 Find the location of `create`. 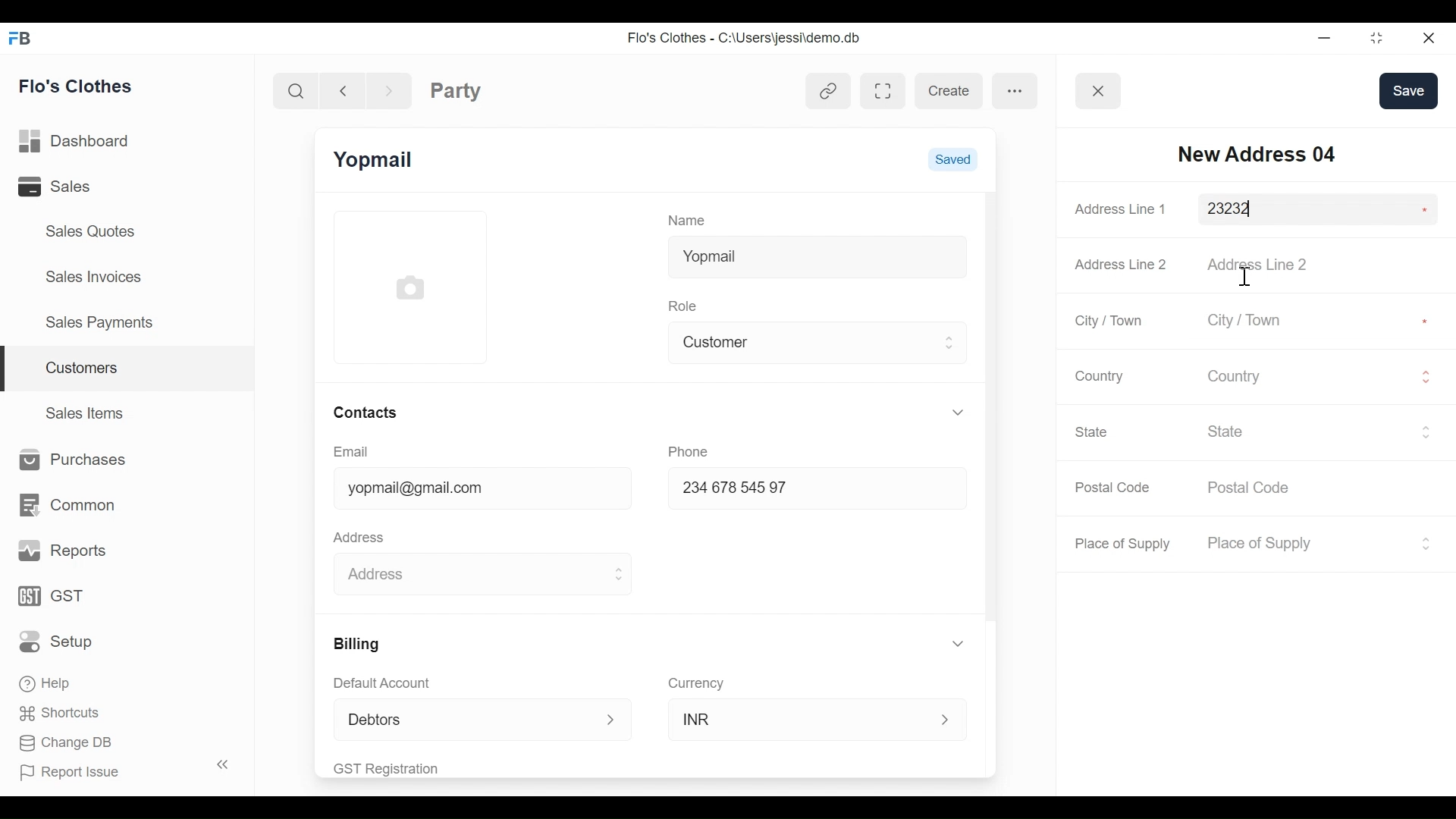

create is located at coordinates (948, 91).